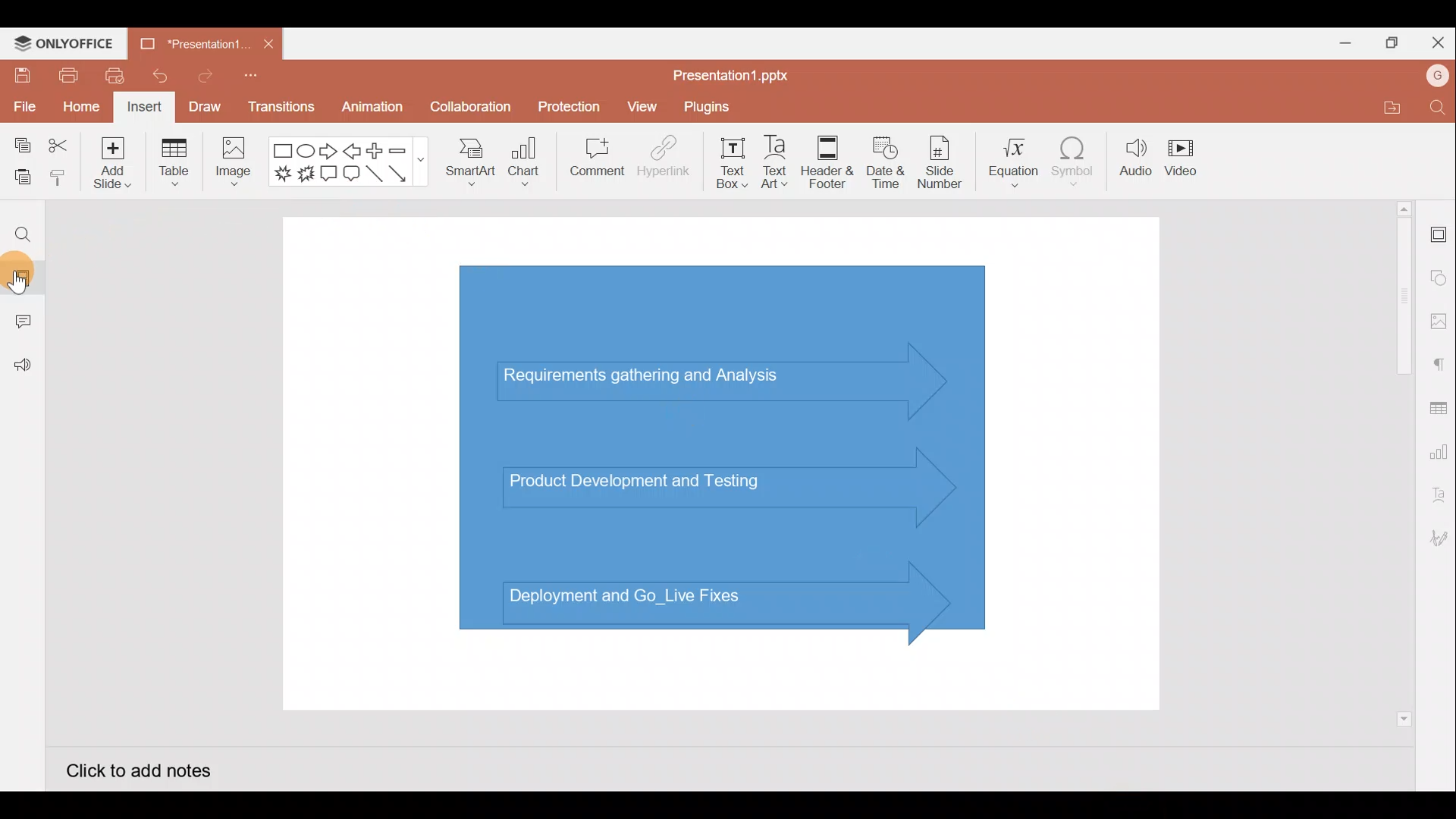 The height and width of the screenshot is (819, 1456). Describe the element at coordinates (1441, 365) in the screenshot. I see `Paragraph settings` at that location.